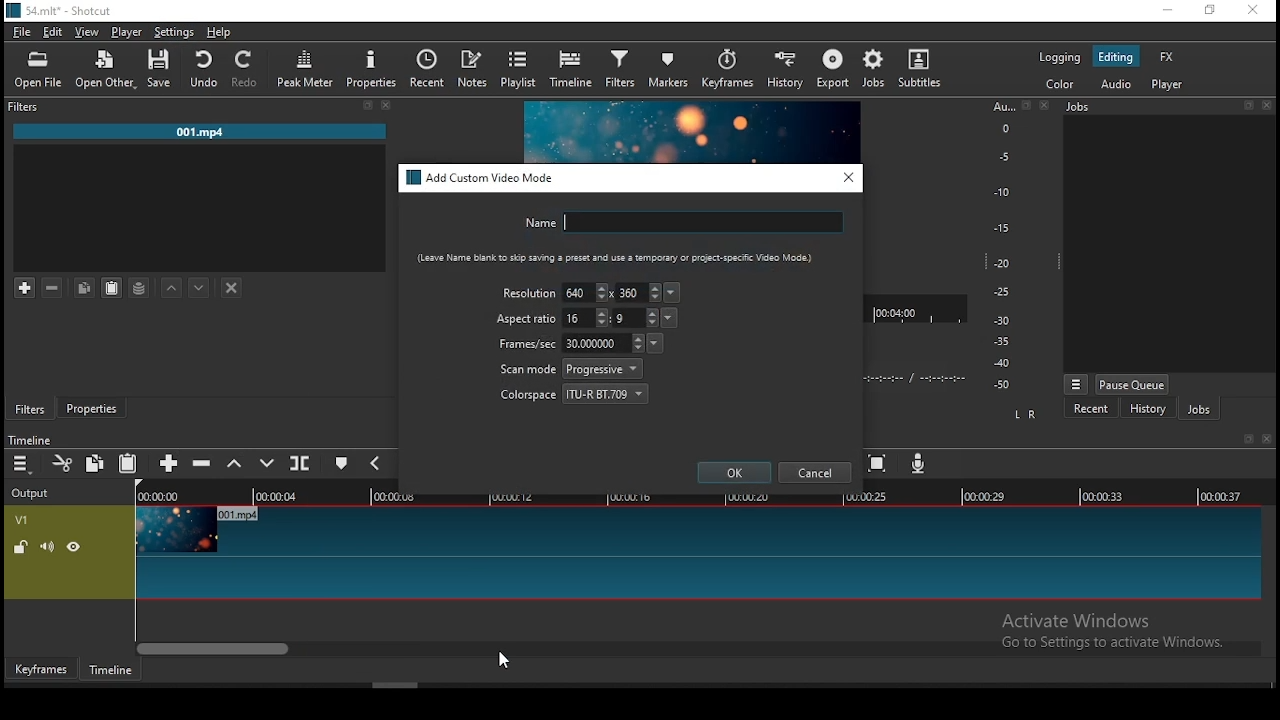 Image resolution: width=1280 pixels, height=720 pixels. I want to click on redo, so click(247, 69).